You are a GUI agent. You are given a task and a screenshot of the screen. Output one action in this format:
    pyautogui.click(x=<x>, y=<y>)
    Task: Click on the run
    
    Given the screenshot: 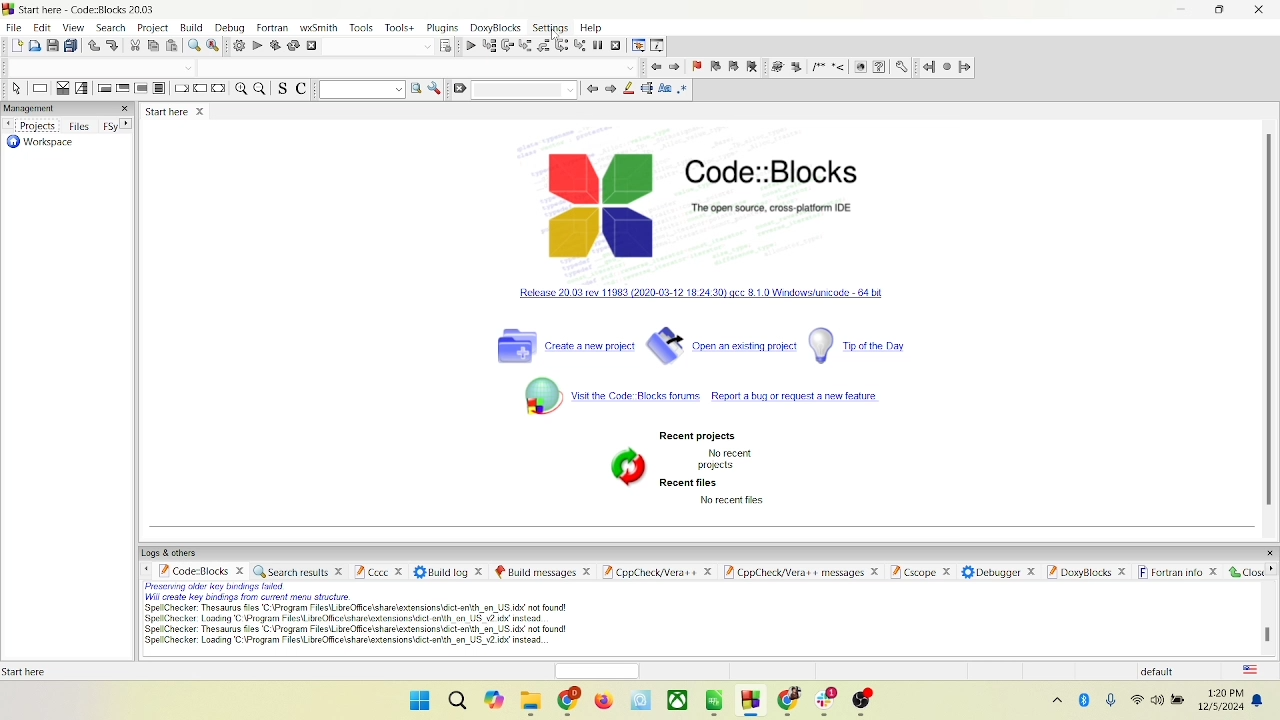 What is the action you would take?
    pyautogui.click(x=256, y=45)
    